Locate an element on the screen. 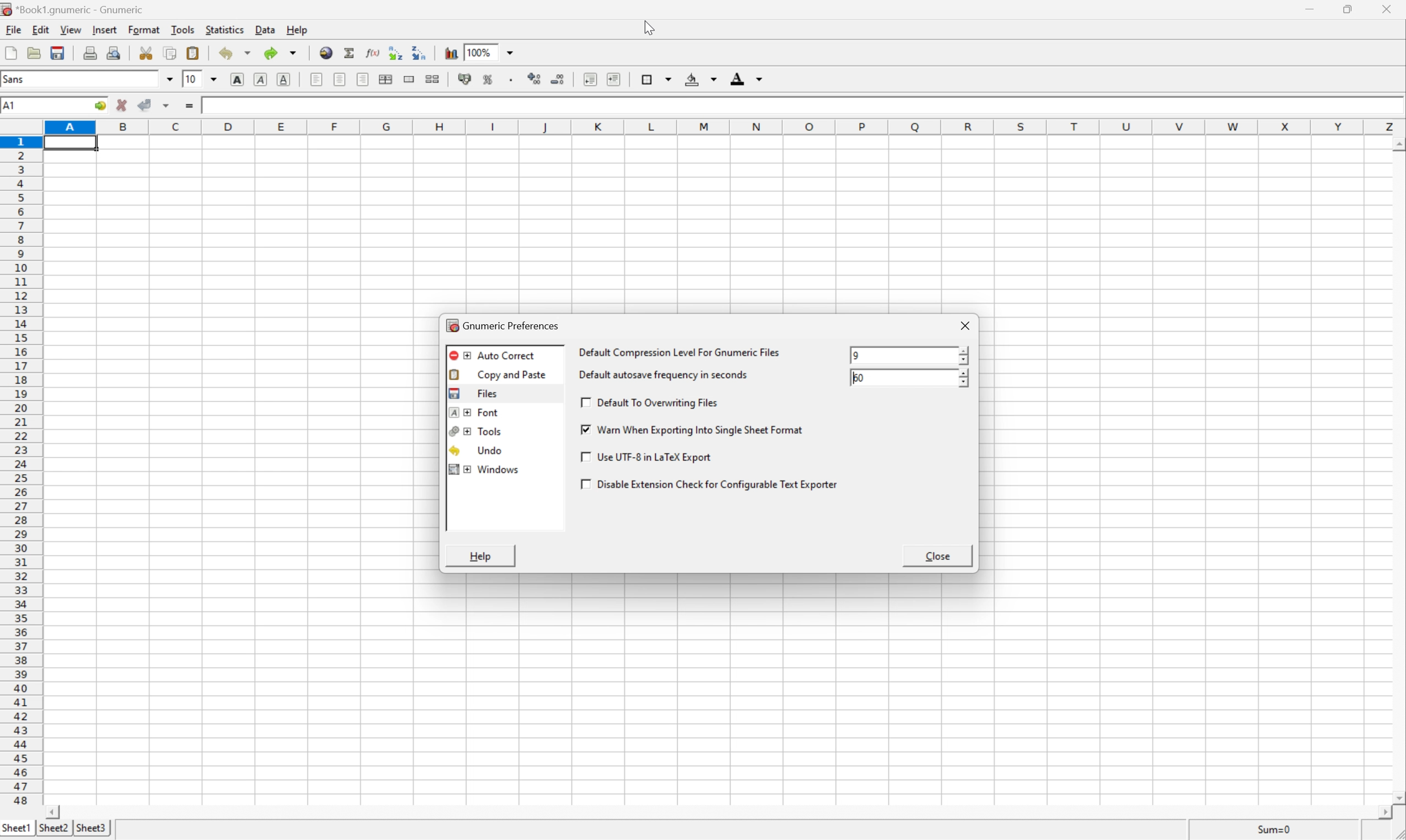  Copy and paste is located at coordinates (505, 374).